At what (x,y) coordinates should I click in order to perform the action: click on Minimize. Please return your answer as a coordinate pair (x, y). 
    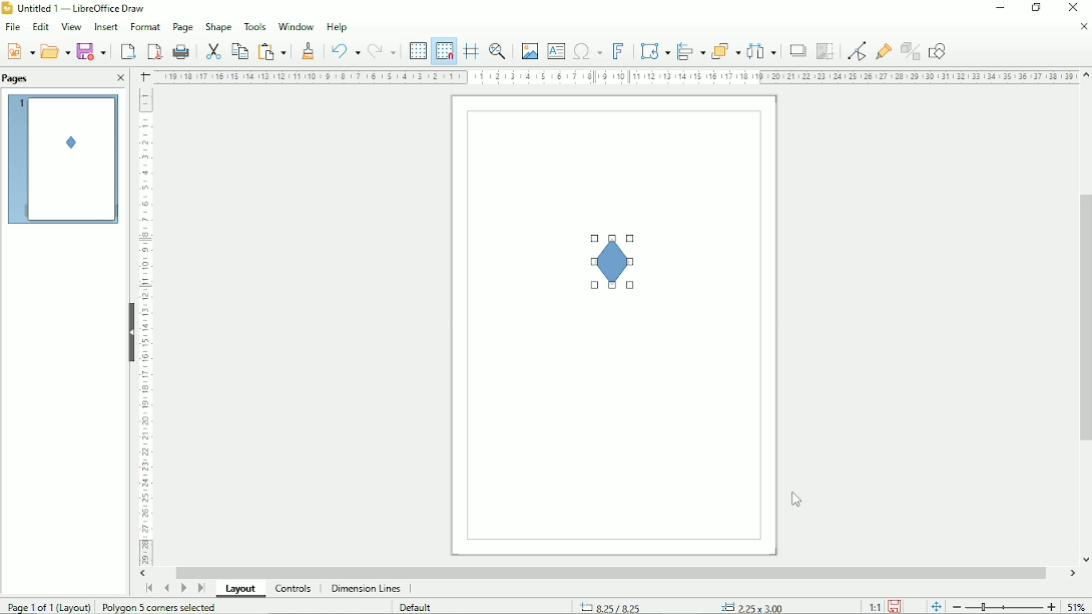
    Looking at the image, I should click on (1000, 9).